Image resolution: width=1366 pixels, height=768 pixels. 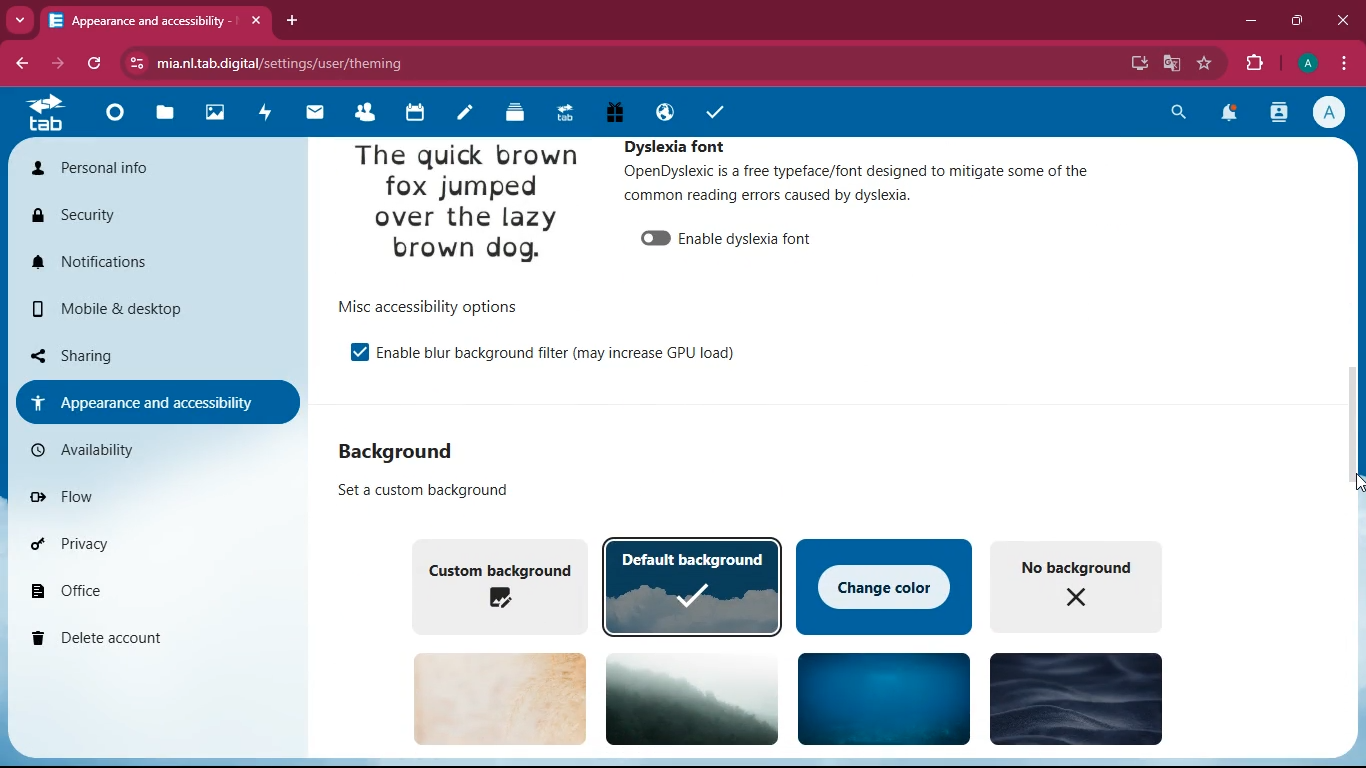 What do you see at coordinates (442, 306) in the screenshot?
I see `more accessibility options` at bounding box center [442, 306].